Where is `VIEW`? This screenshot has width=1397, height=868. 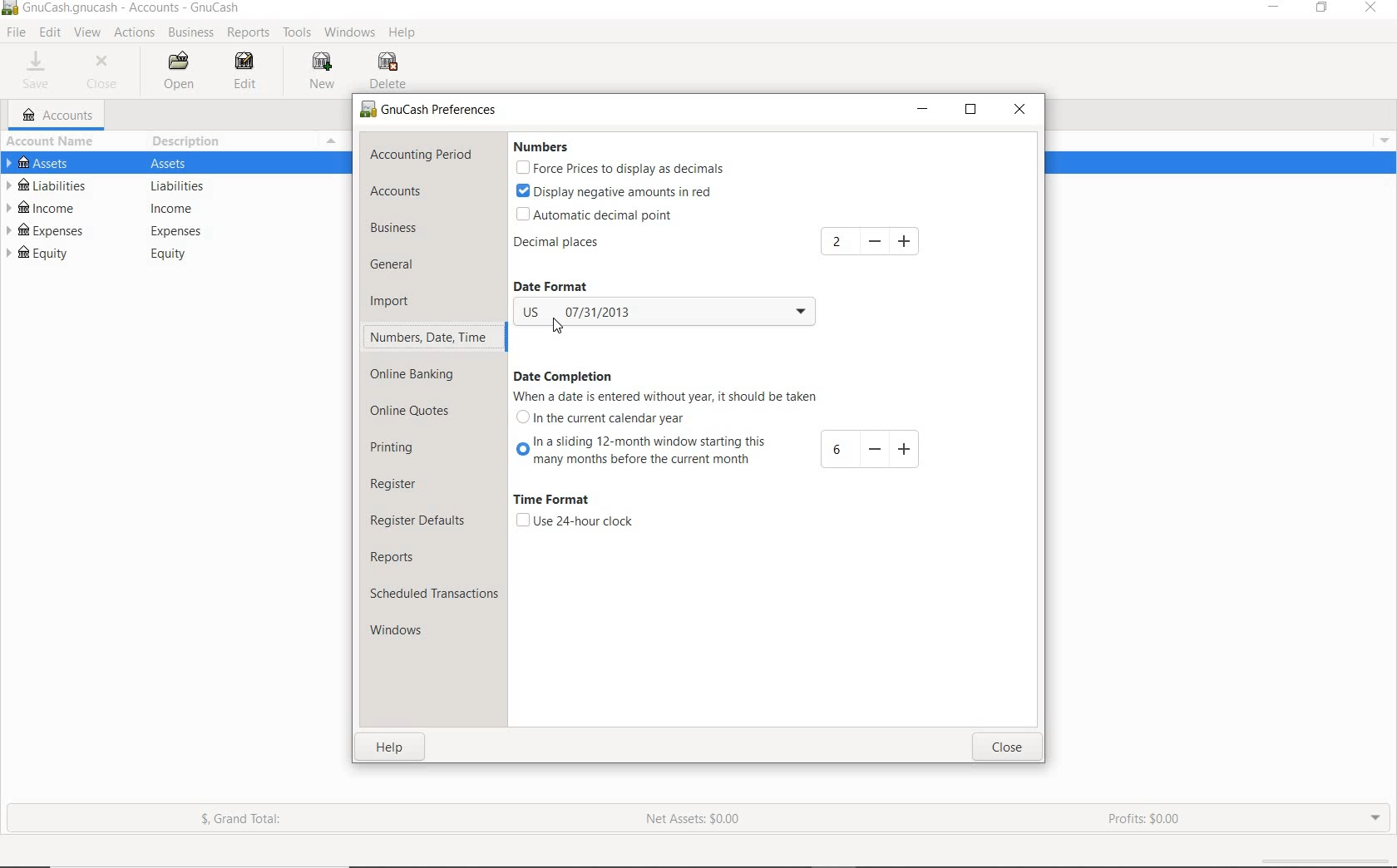
VIEW is located at coordinates (88, 33).